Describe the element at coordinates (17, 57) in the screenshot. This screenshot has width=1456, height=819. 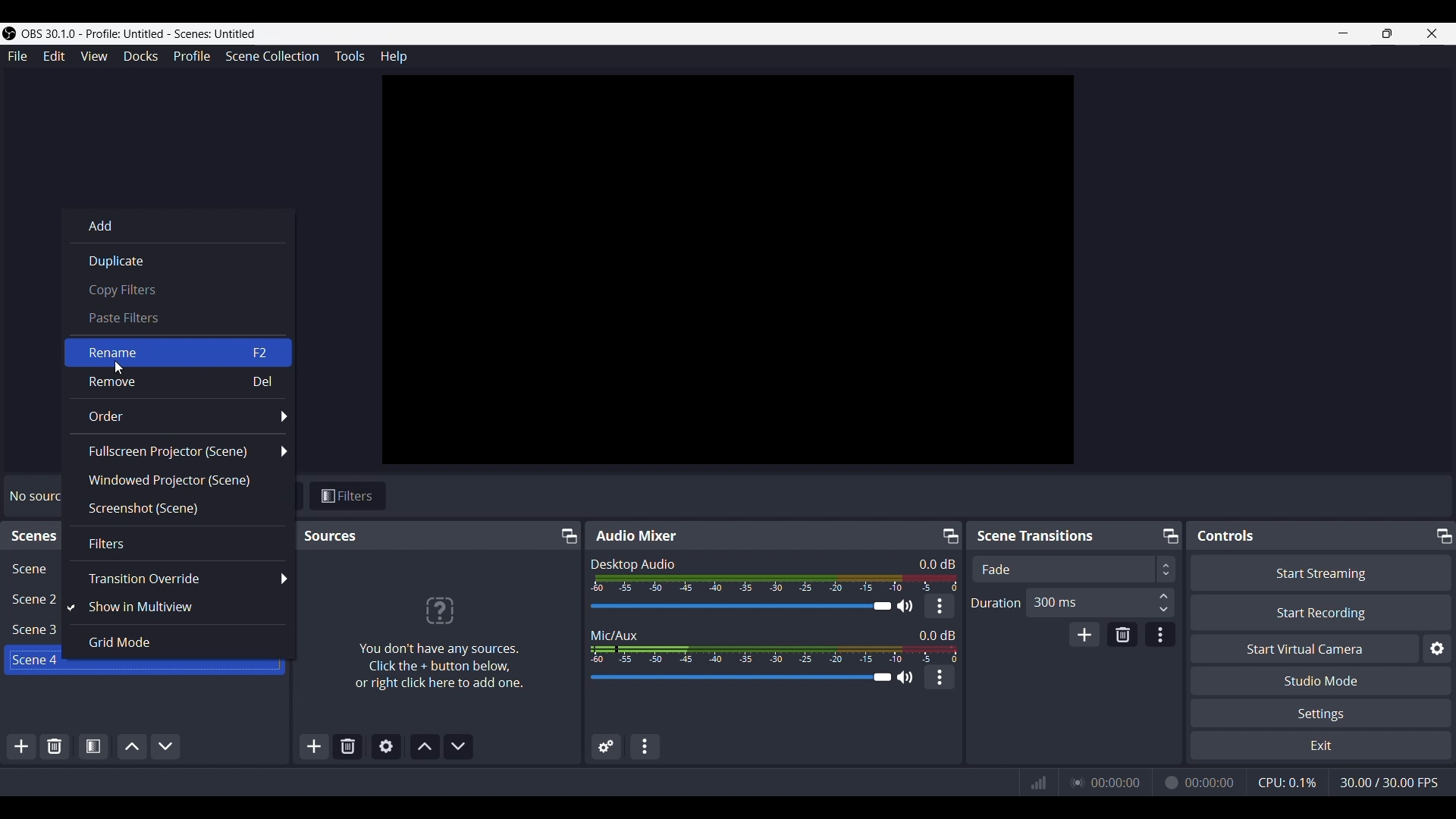
I see `File` at that location.